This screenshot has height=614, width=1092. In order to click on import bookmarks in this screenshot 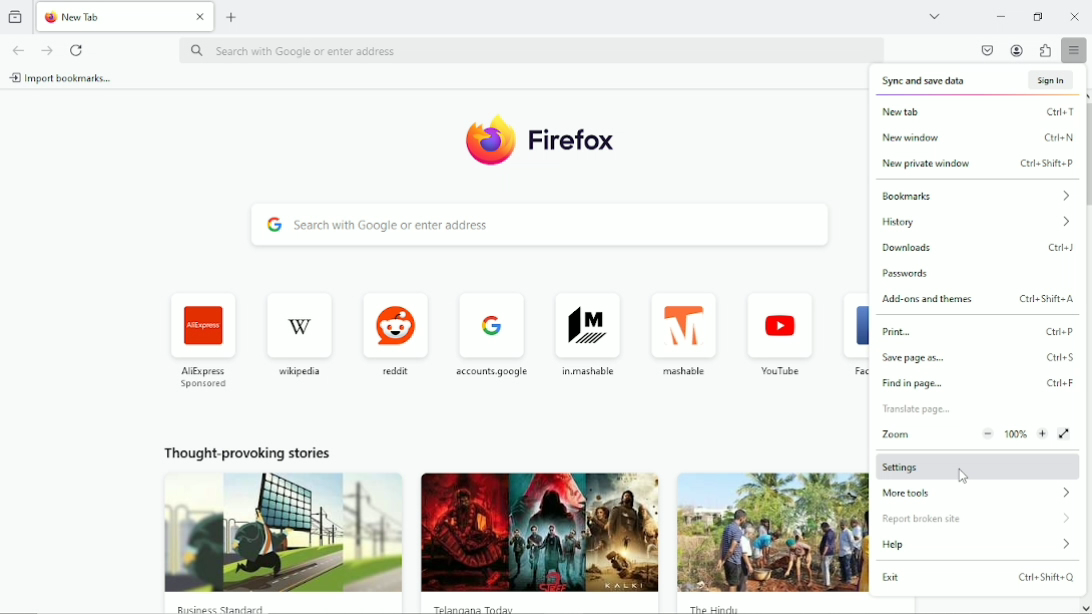, I will do `click(62, 78)`.